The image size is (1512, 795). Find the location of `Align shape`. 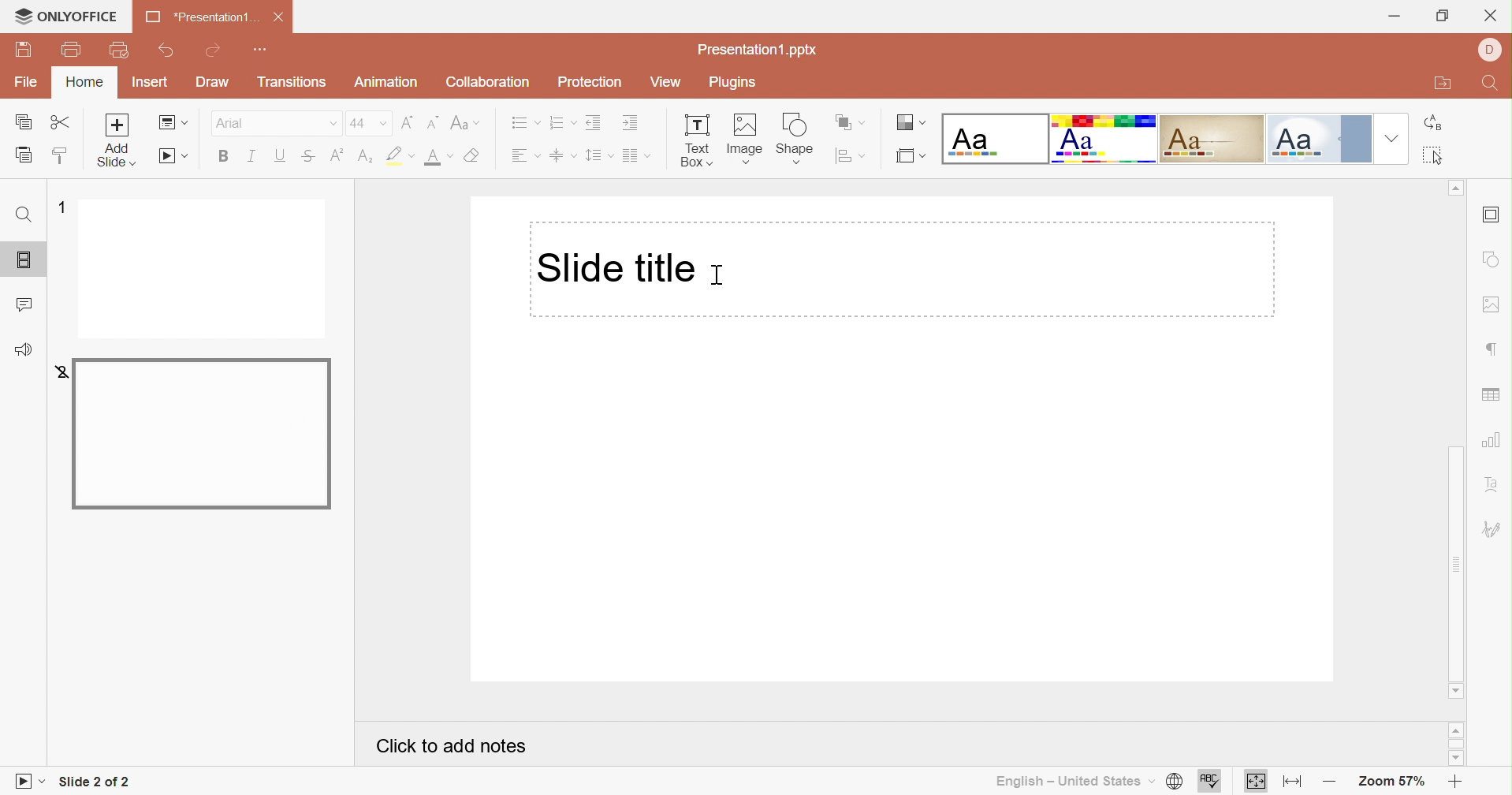

Align shape is located at coordinates (851, 158).